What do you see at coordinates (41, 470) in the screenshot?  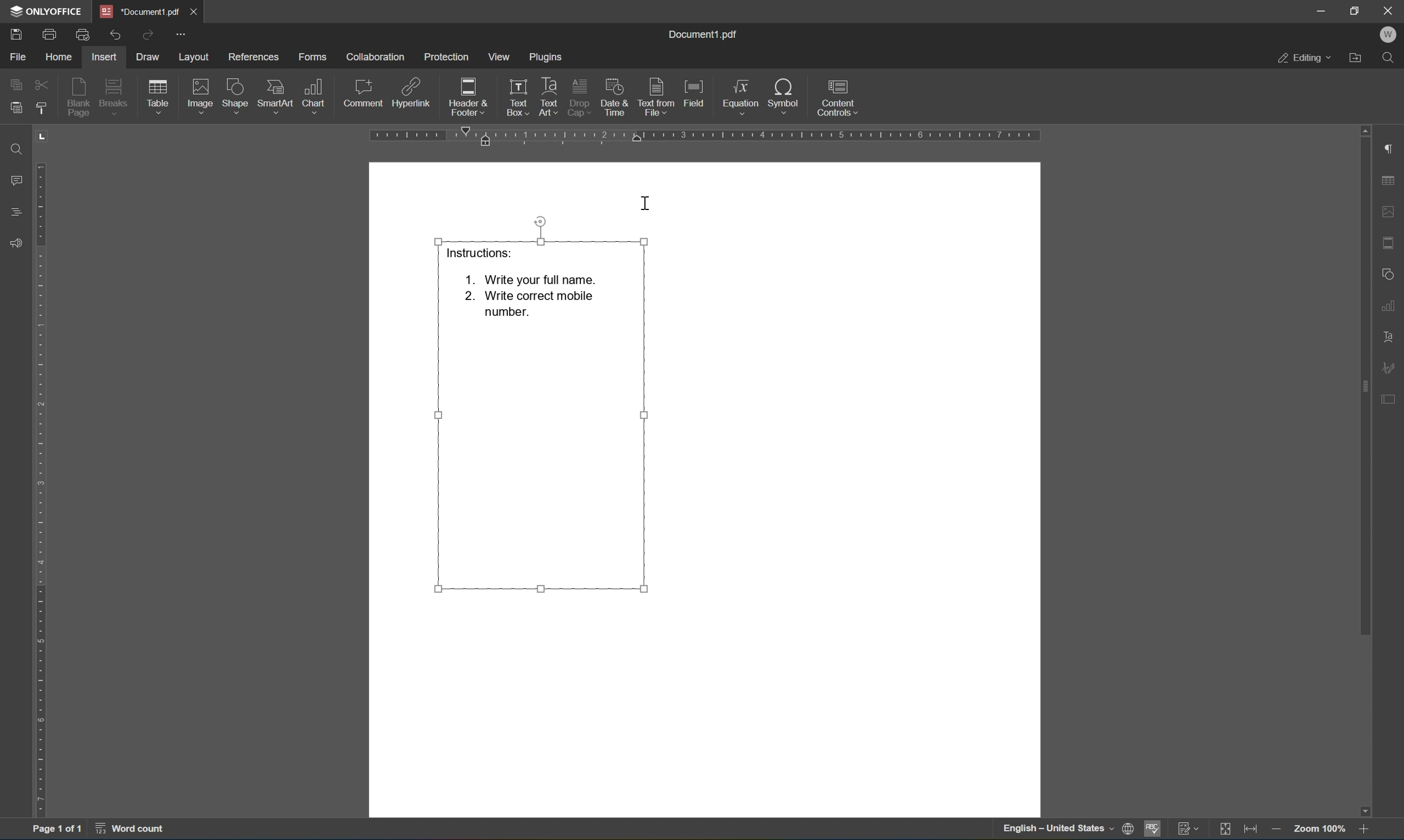 I see `ruler` at bounding box center [41, 470].